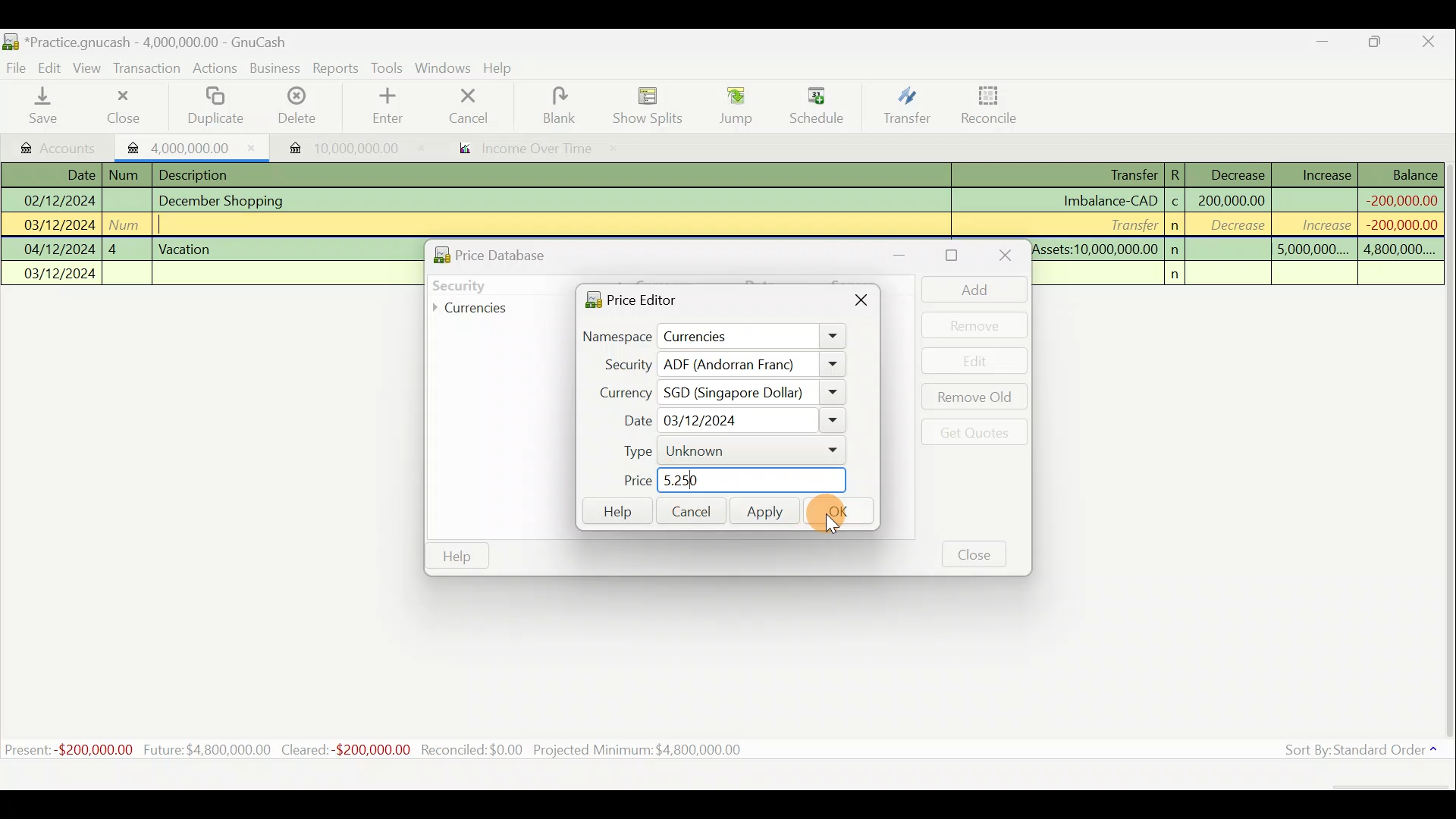 This screenshot has width=1456, height=819. I want to click on Description, so click(199, 173).